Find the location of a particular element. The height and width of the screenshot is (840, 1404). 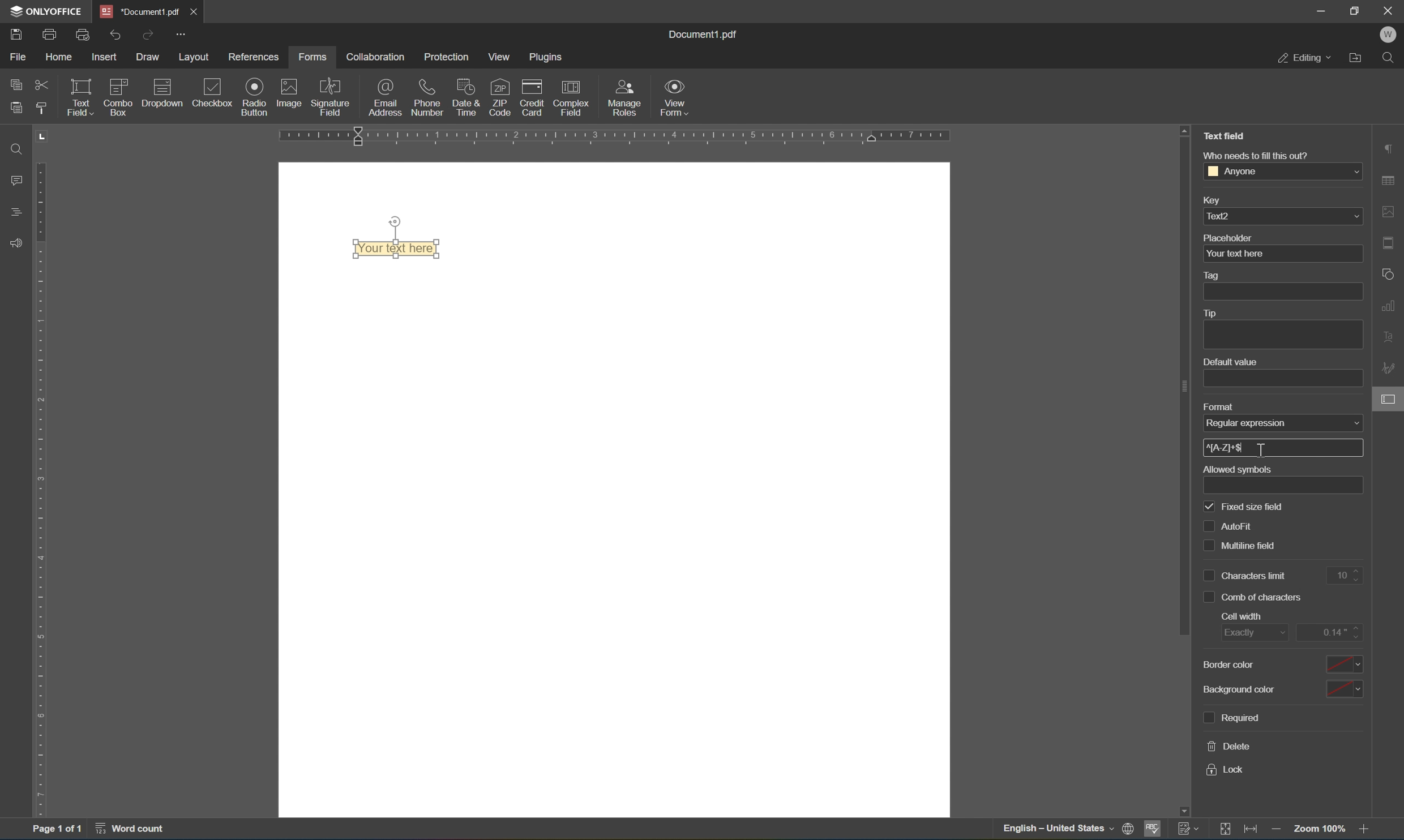

restore down is located at coordinates (1356, 10).